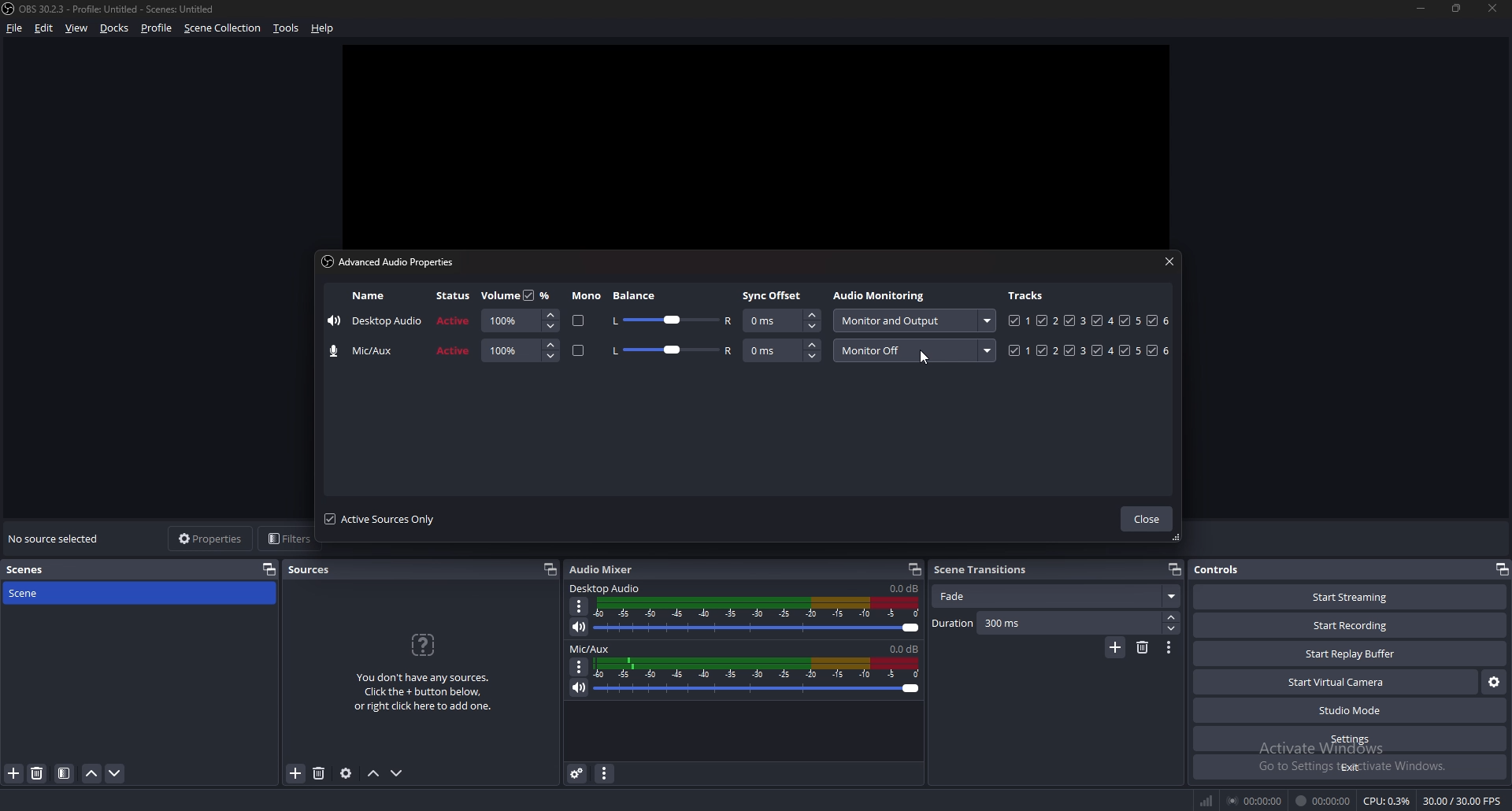 The height and width of the screenshot is (811, 1512). I want to click on audio mixer properties, so click(606, 774).